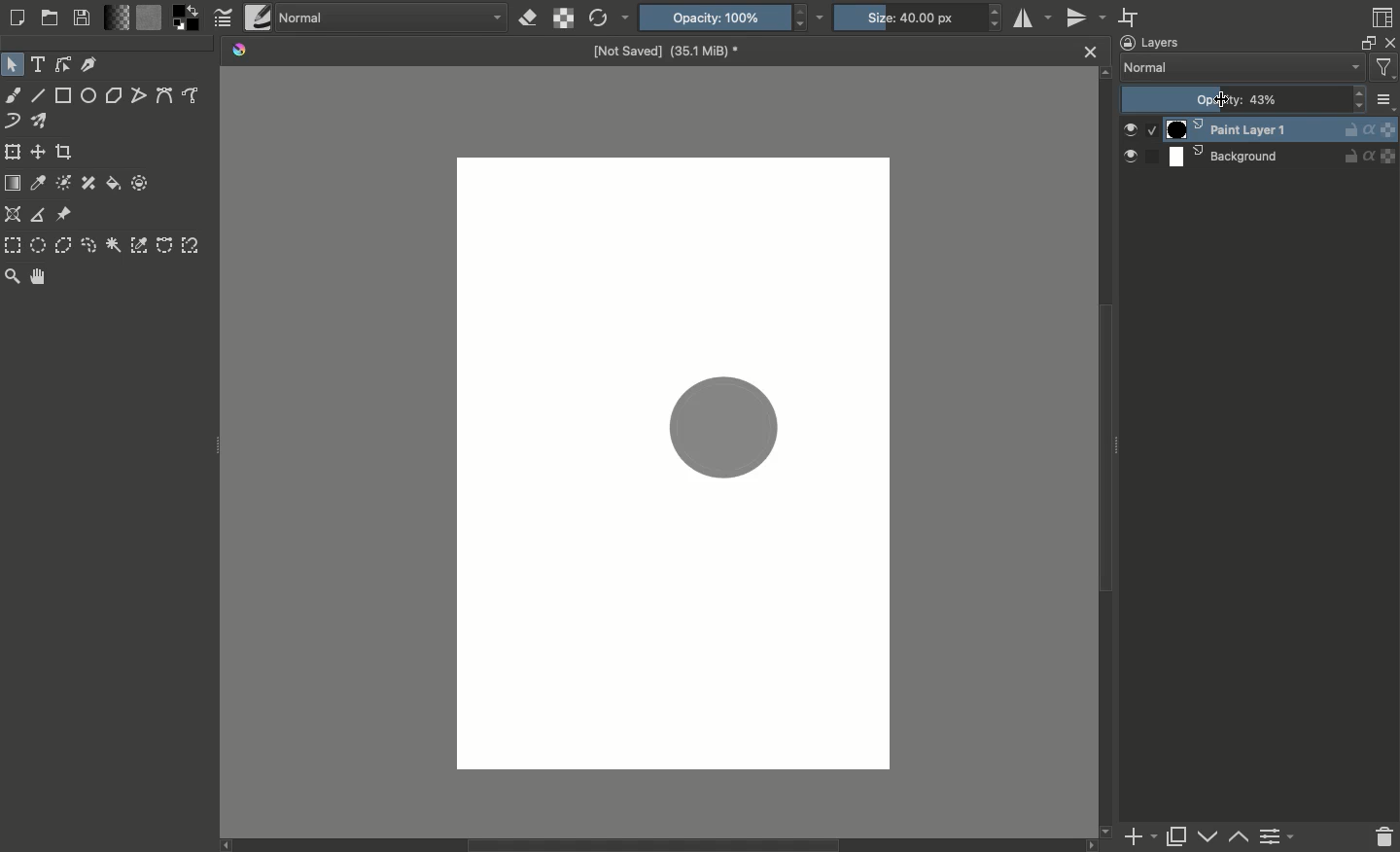 This screenshot has height=852, width=1400. I want to click on Line, so click(37, 95).